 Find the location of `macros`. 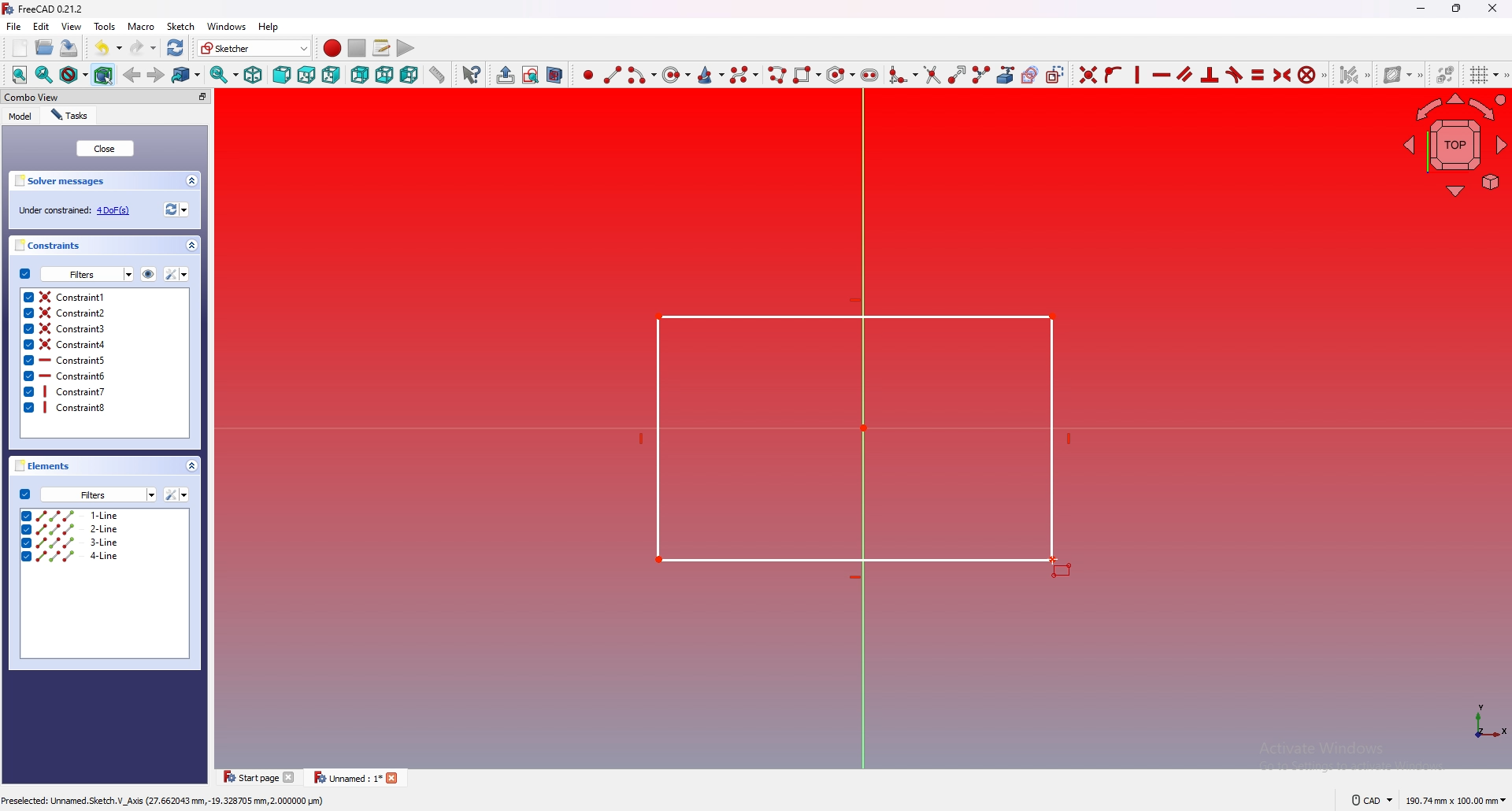

macros is located at coordinates (382, 48).